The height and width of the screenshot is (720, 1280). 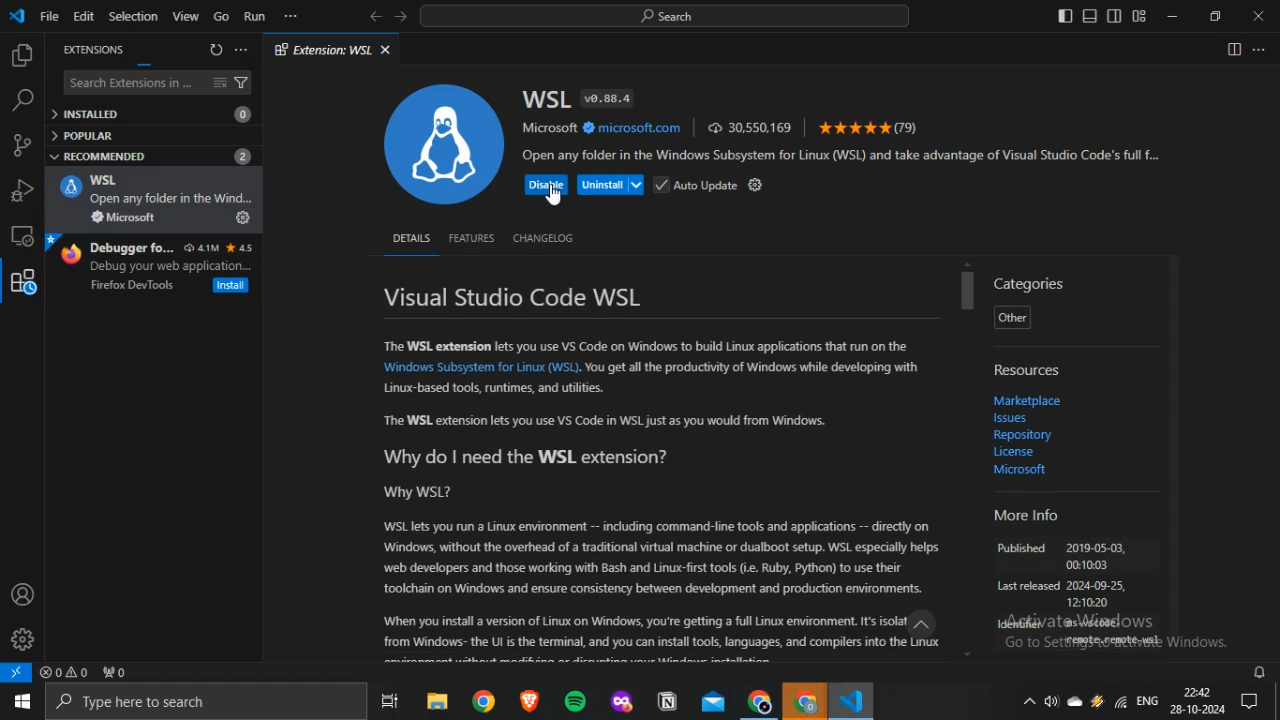 I want to click on View, so click(x=185, y=16).